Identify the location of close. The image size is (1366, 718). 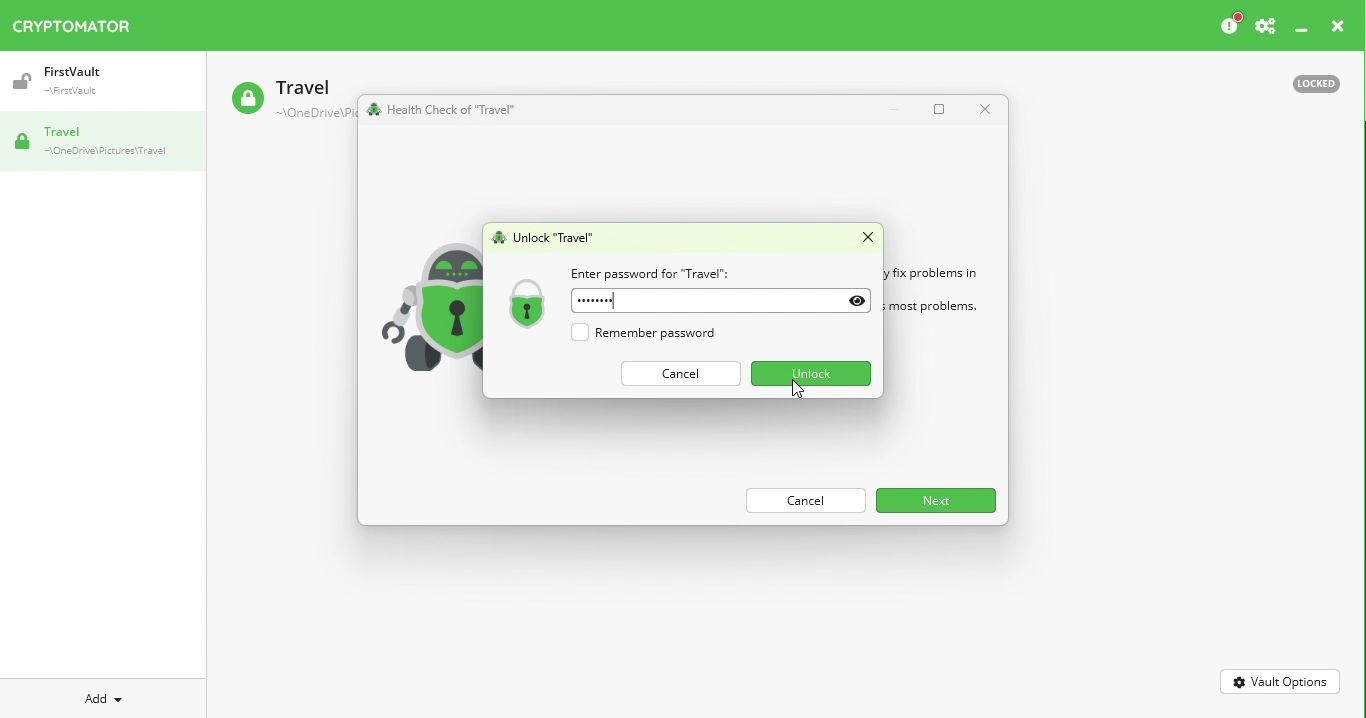
(1339, 27).